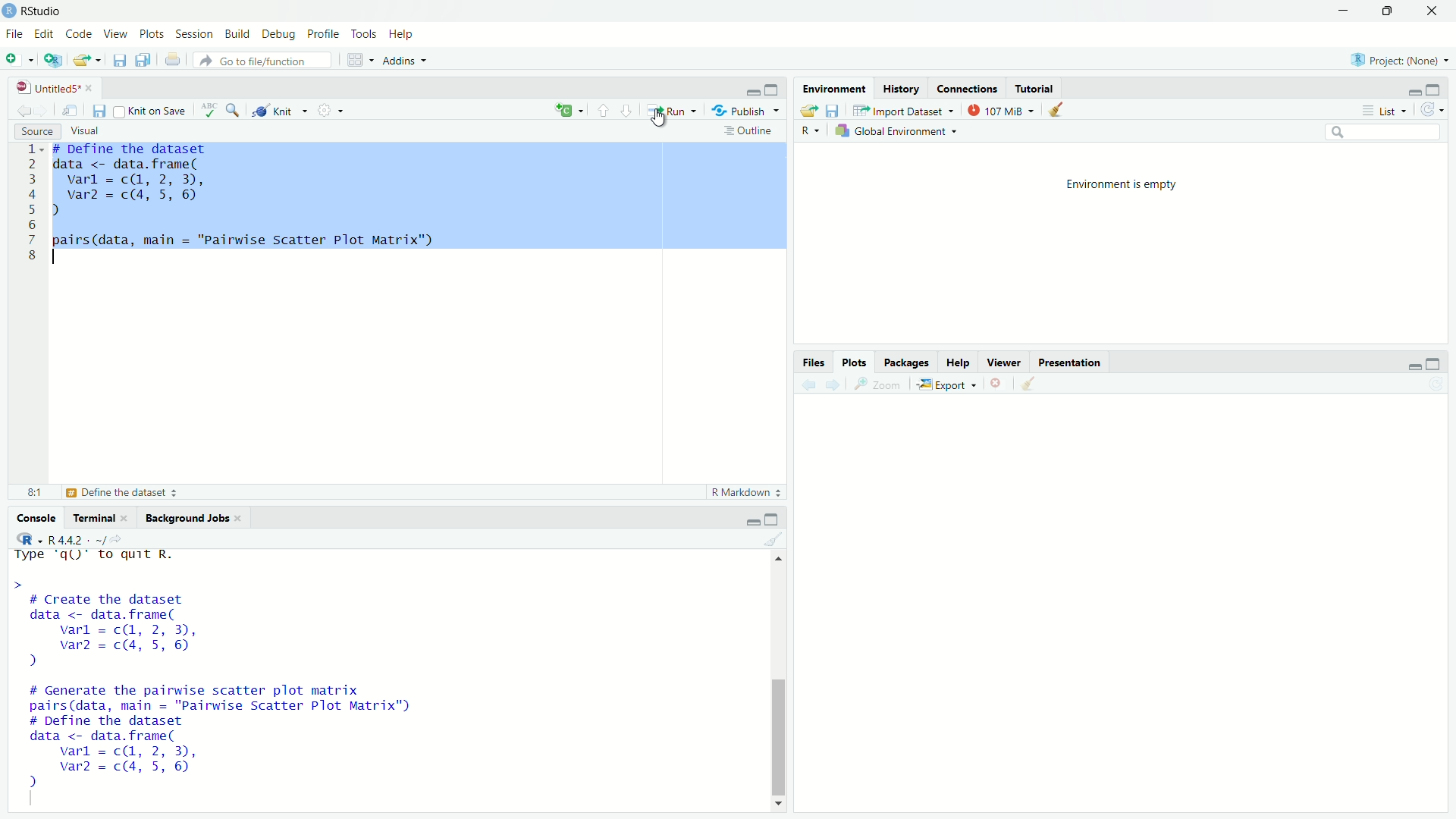  Describe the element at coordinates (604, 110) in the screenshot. I see `Go to previous section/chunk (Ctrl + PgUp)` at that location.